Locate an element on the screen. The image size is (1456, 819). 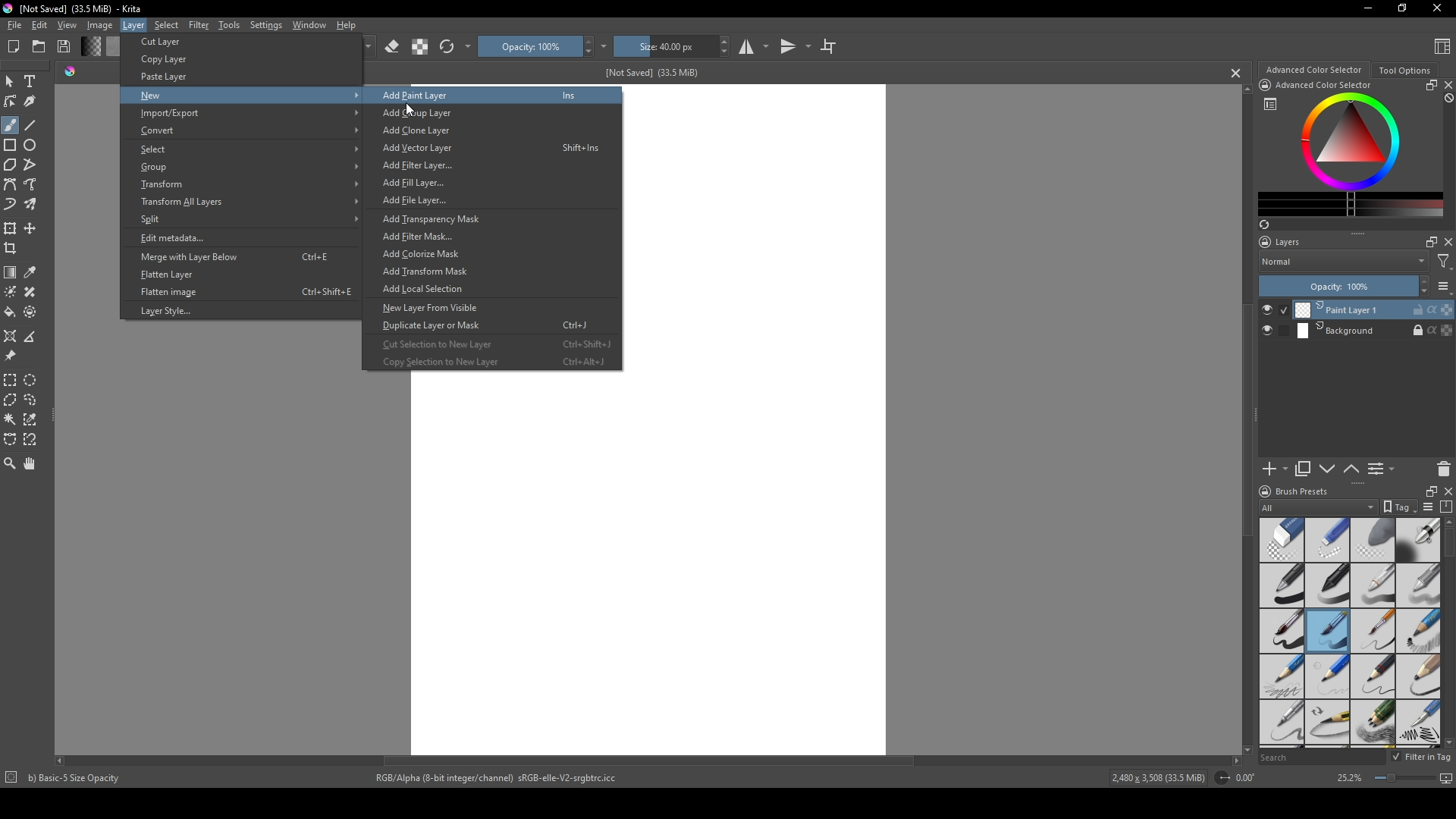
25.2% is located at coordinates (1348, 779).